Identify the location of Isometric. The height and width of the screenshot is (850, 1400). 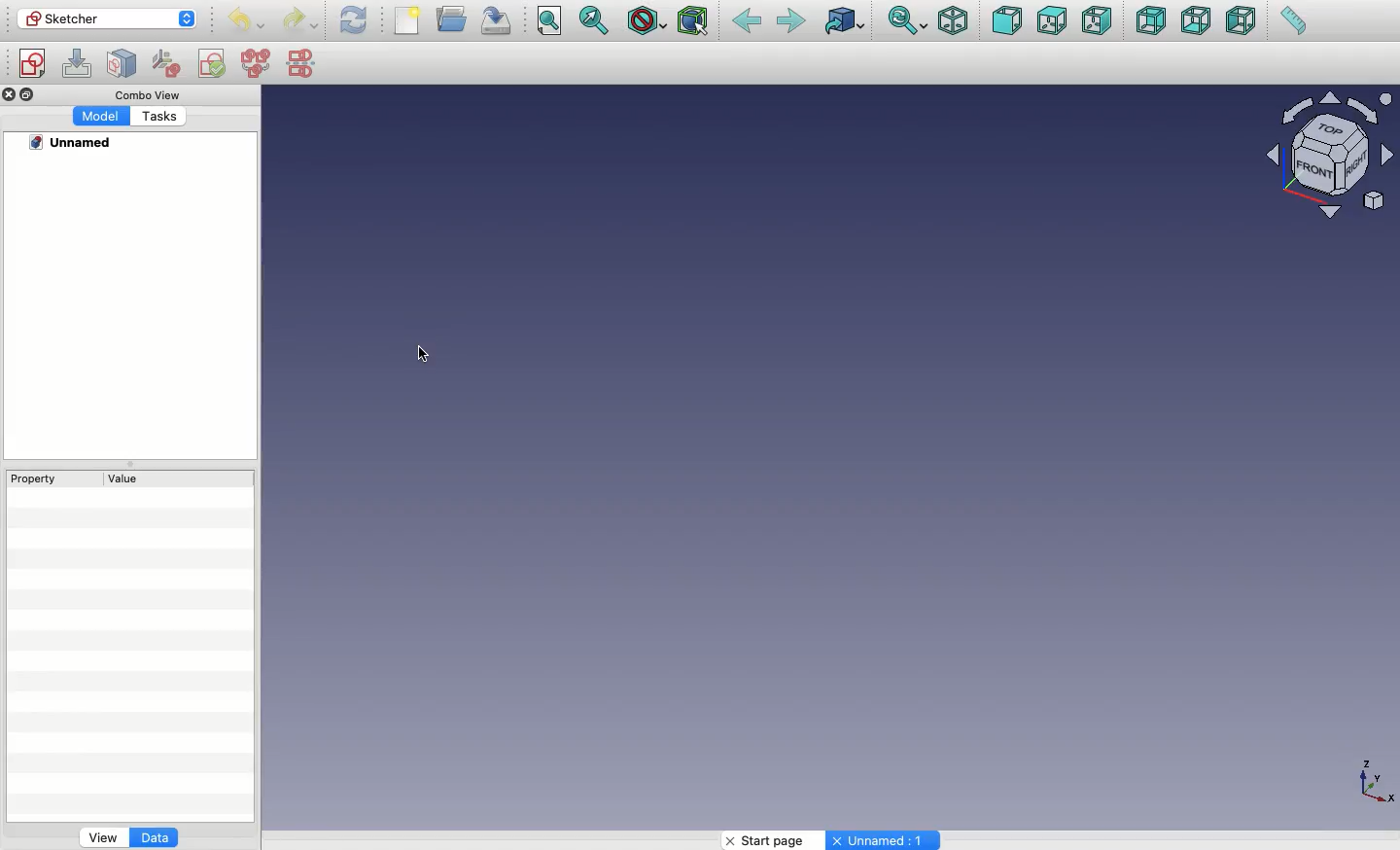
(952, 21).